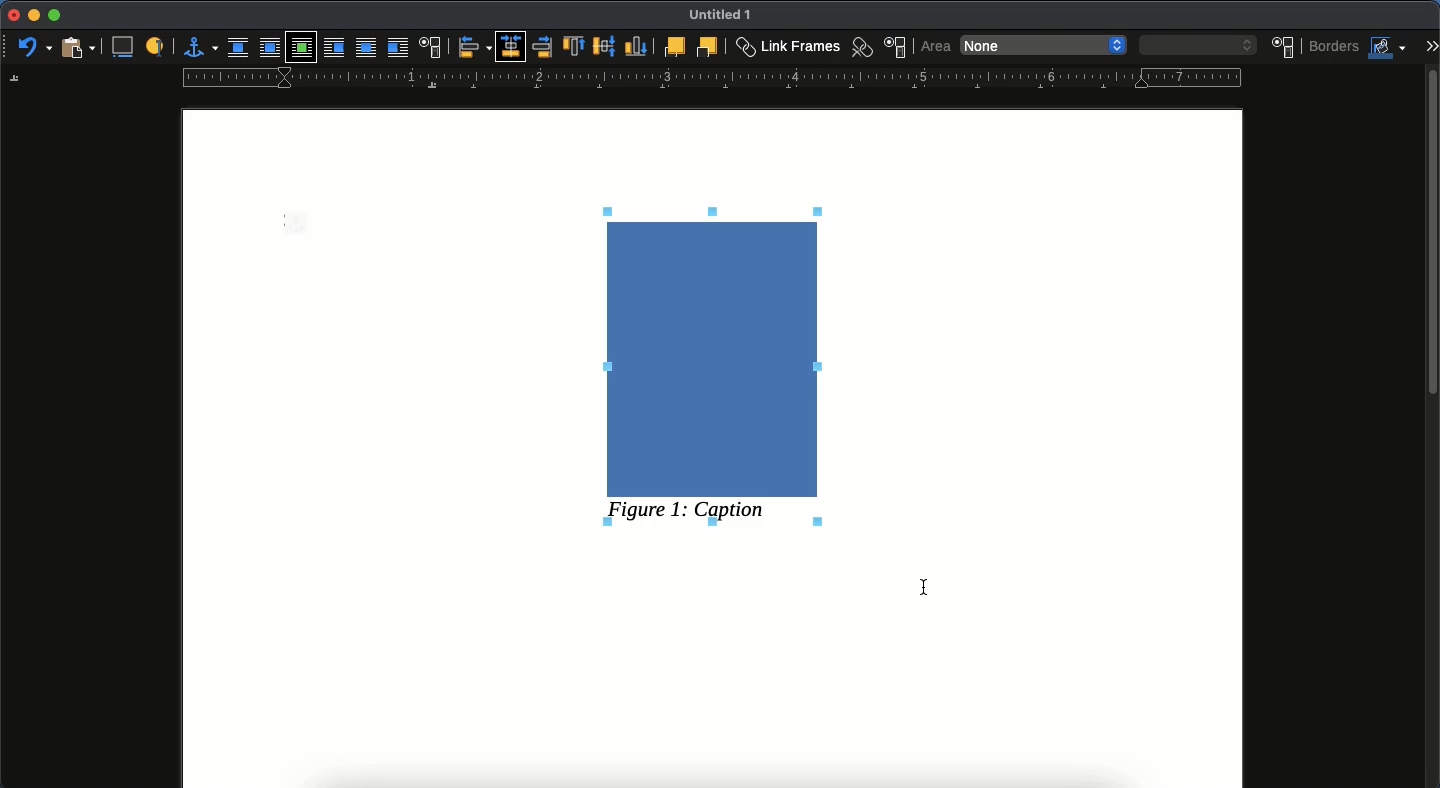 This screenshot has width=1440, height=788. I want to click on parallel, so click(269, 47).